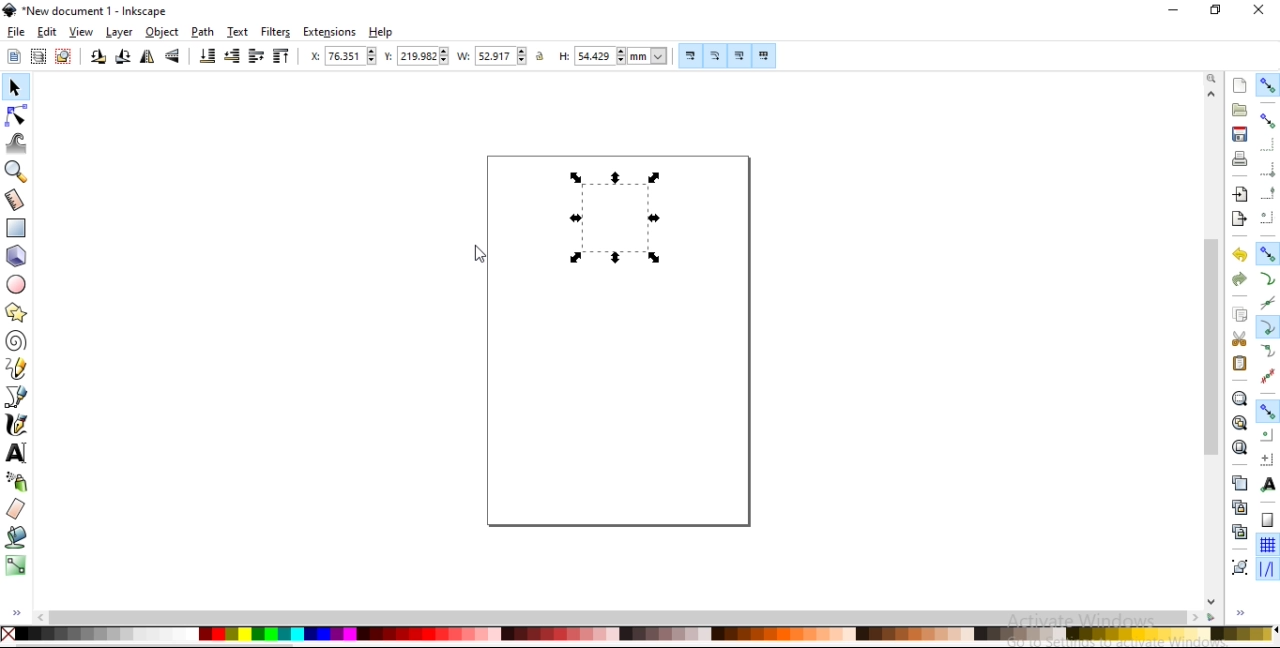 The width and height of the screenshot is (1280, 648). I want to click on flip vertical, so click(172, 58).